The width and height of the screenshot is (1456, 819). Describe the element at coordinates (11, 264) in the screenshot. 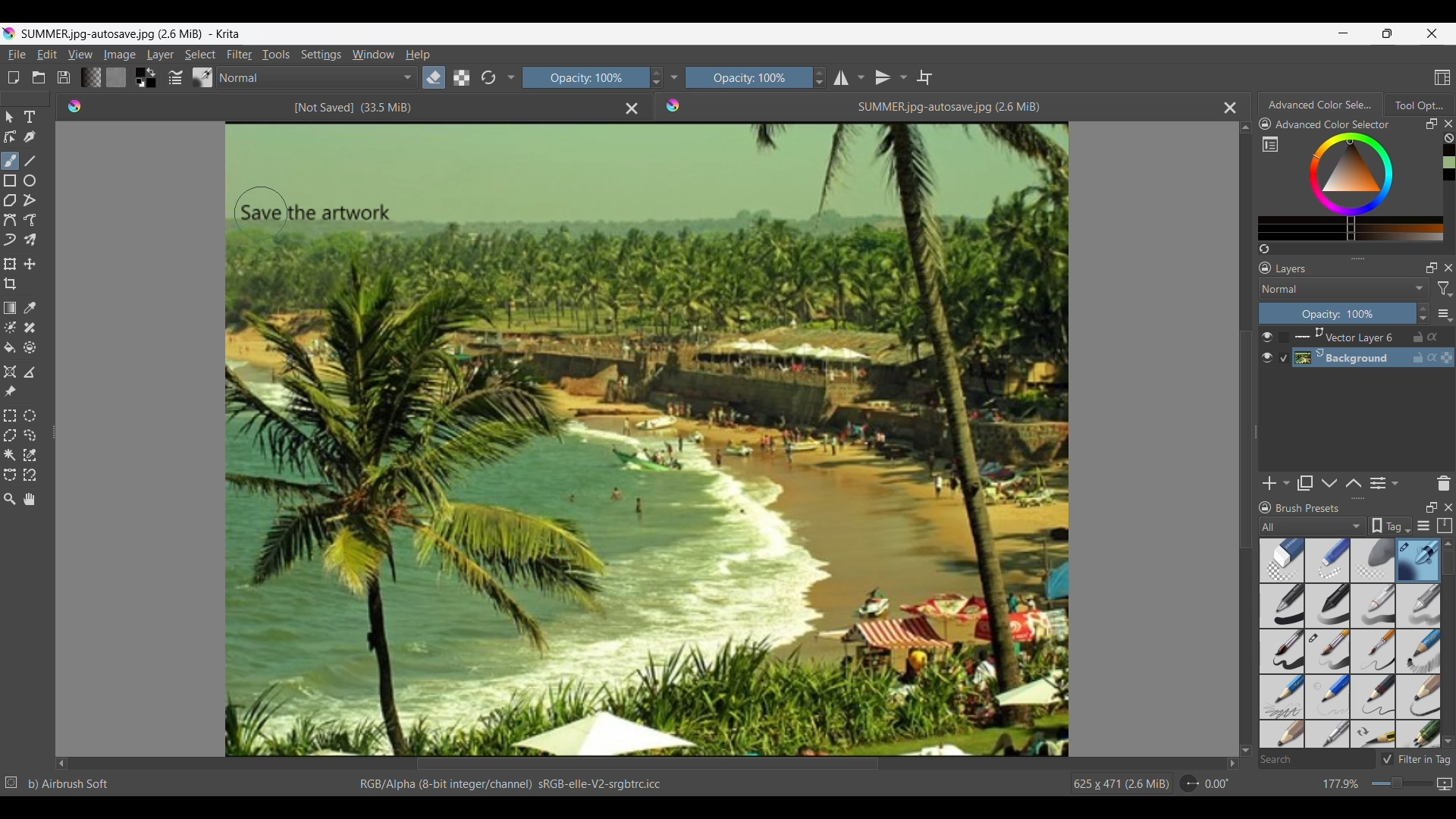

I see `Transform a layer or selection` at that location.